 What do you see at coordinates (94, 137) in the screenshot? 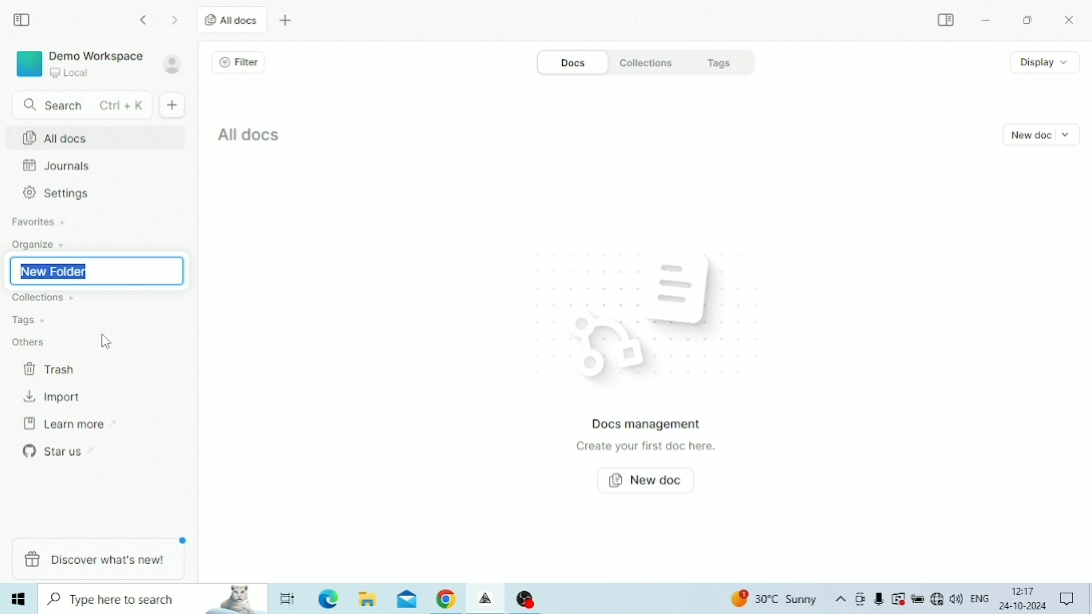
I see `All docs` at bounding box center [94, 137].